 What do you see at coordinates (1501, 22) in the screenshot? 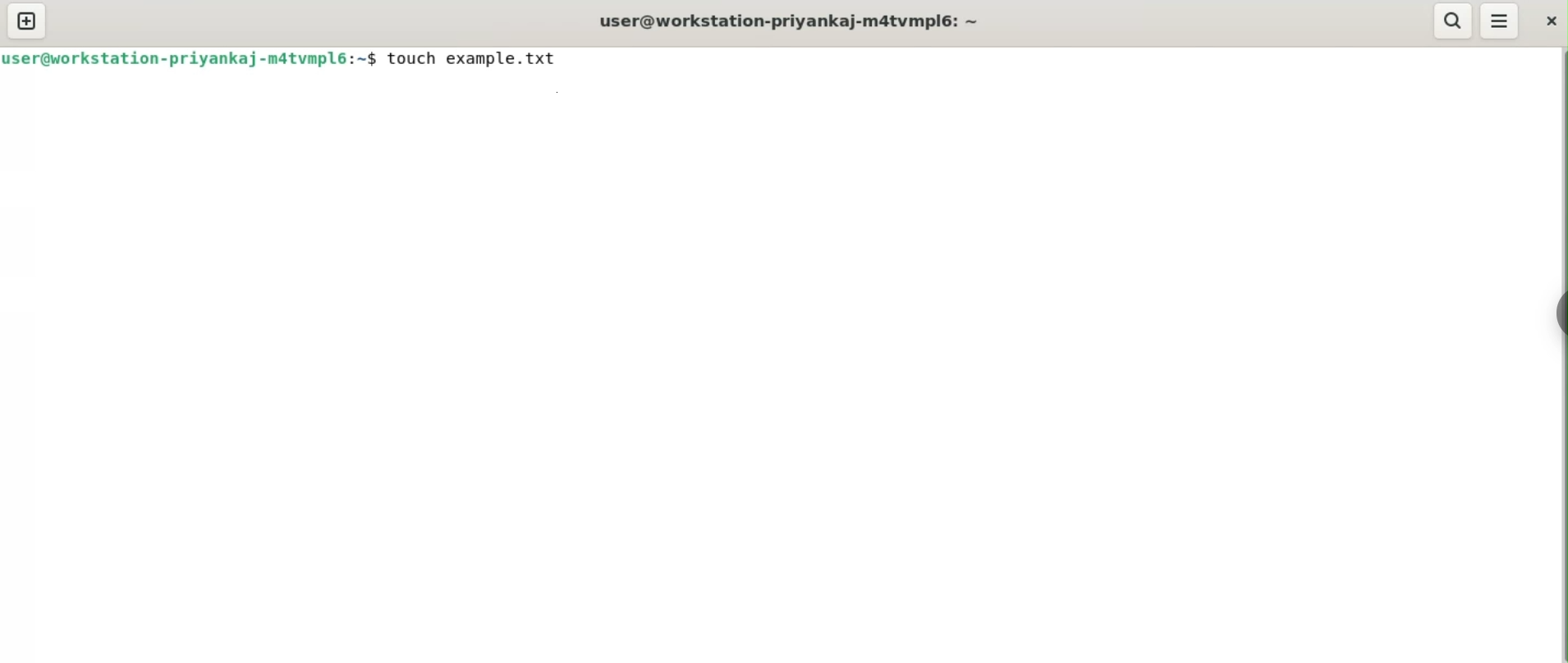
I see `menu` at bounding box center [1501, 22].